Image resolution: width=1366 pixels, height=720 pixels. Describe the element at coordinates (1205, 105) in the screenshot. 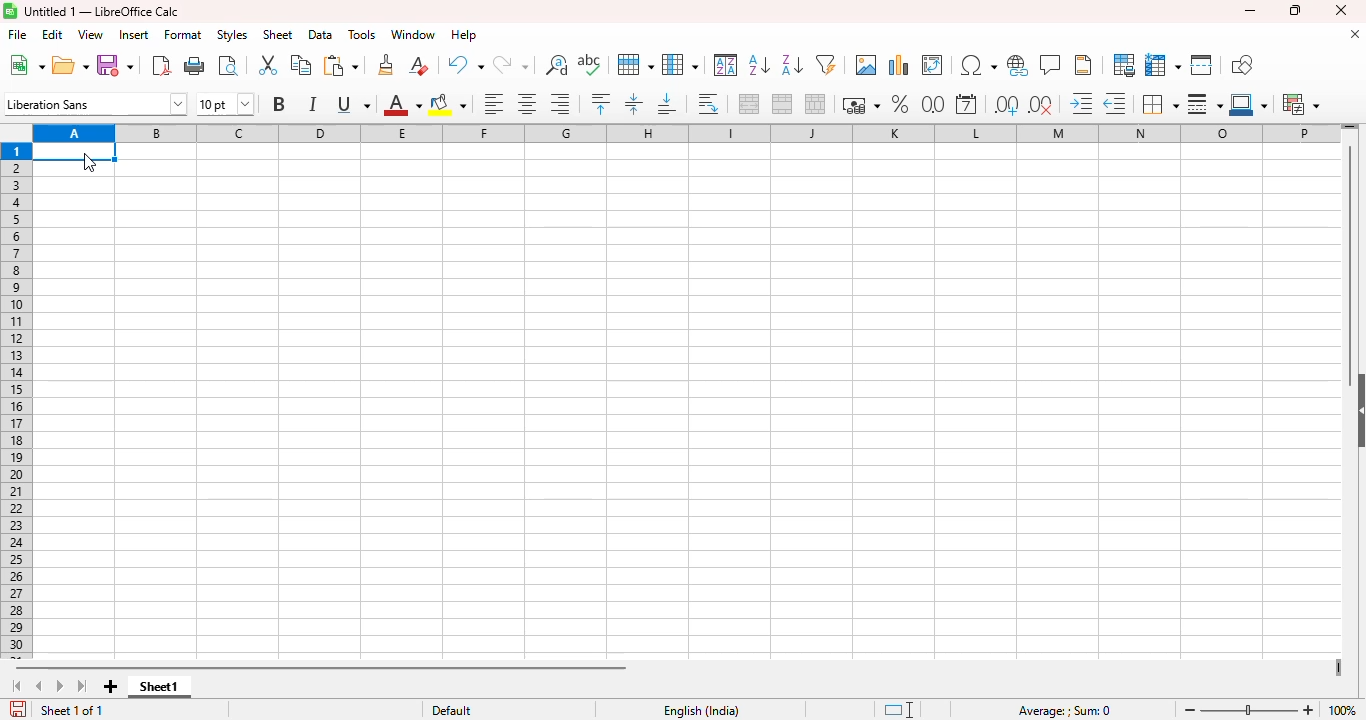

I see `border style` at that location.